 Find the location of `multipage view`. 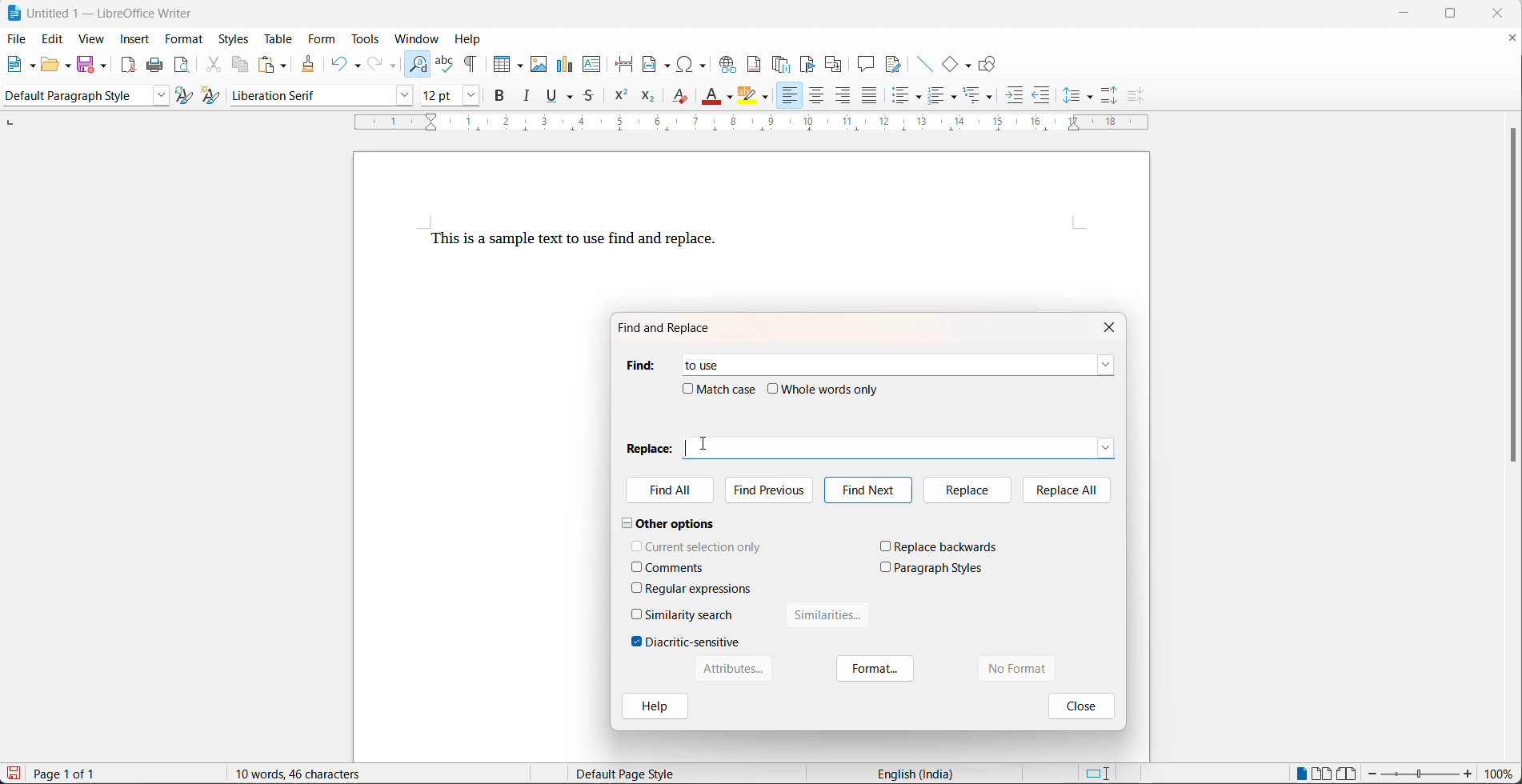

multipage view is located at coordinates (1321, 773).